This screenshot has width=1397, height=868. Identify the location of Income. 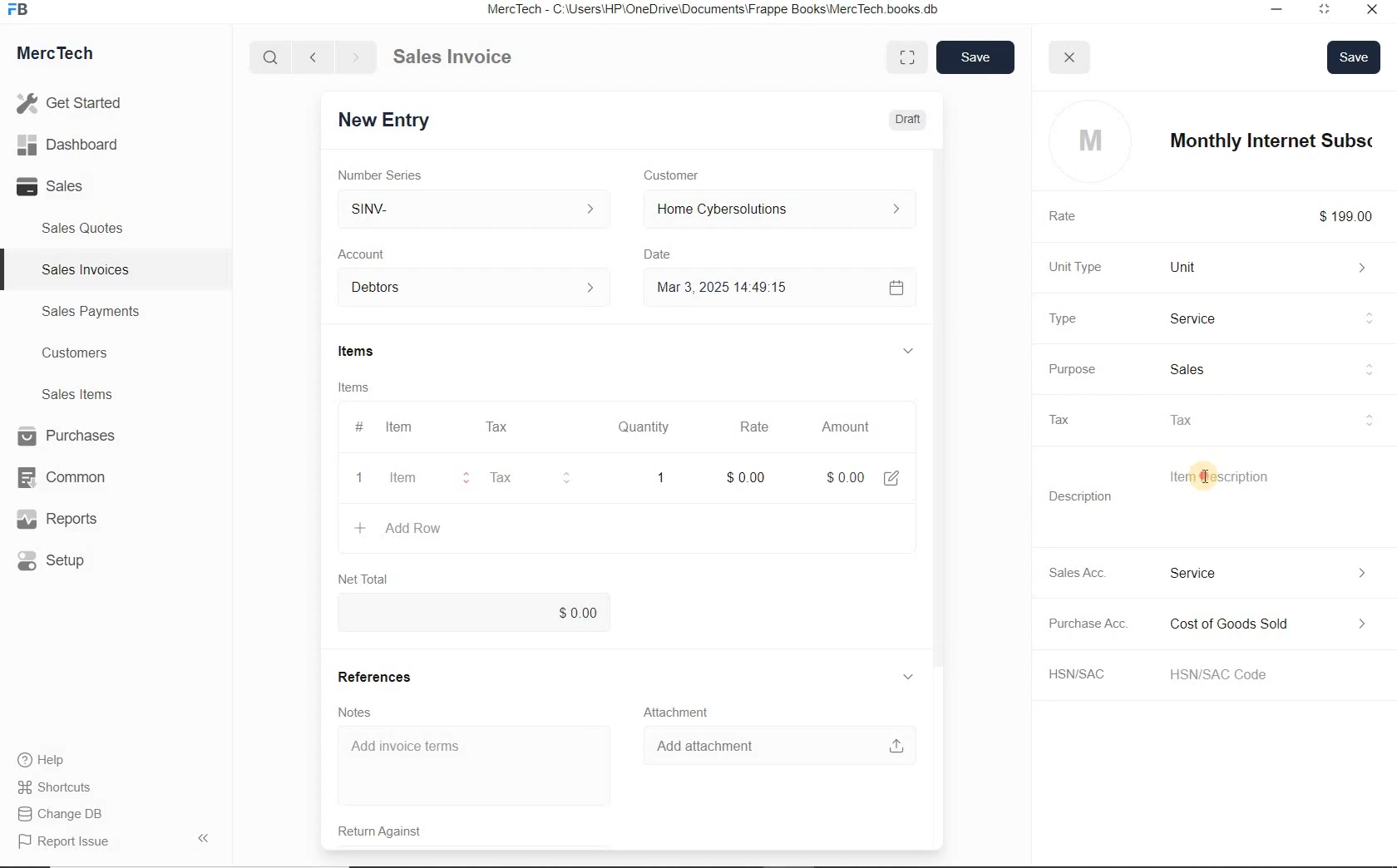
(1264, 572).